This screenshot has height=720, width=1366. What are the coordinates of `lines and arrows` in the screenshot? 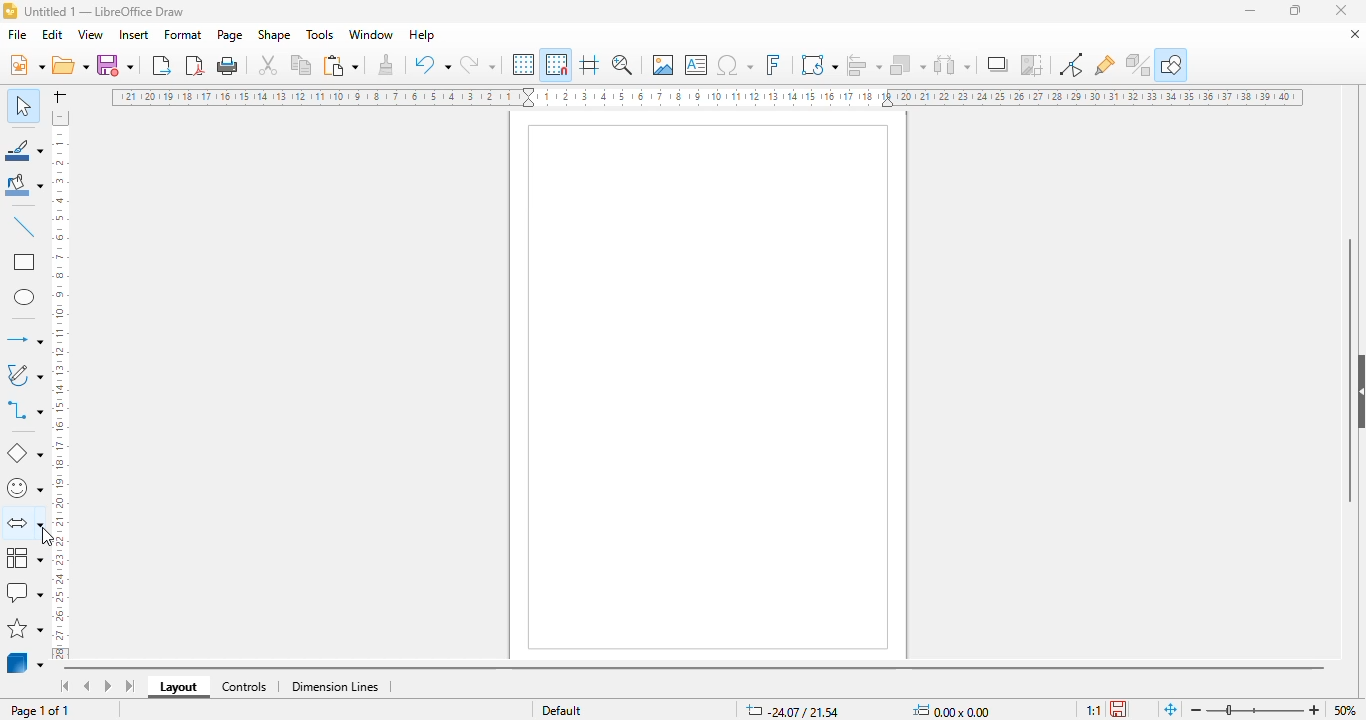 It's located at (24, 339).